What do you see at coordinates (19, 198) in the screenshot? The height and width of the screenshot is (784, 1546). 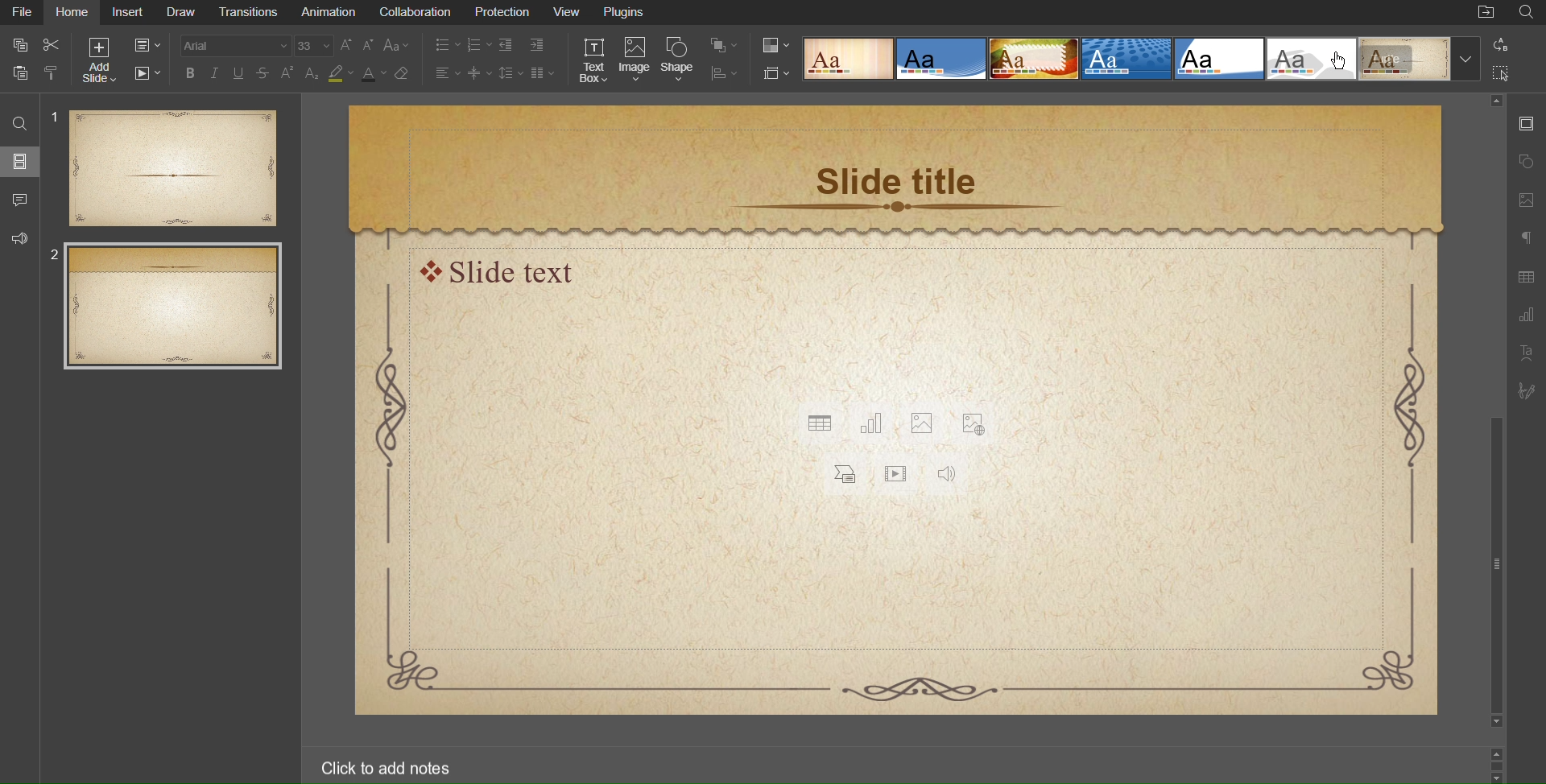 I see `Comments` at bounding box center [19, 198].